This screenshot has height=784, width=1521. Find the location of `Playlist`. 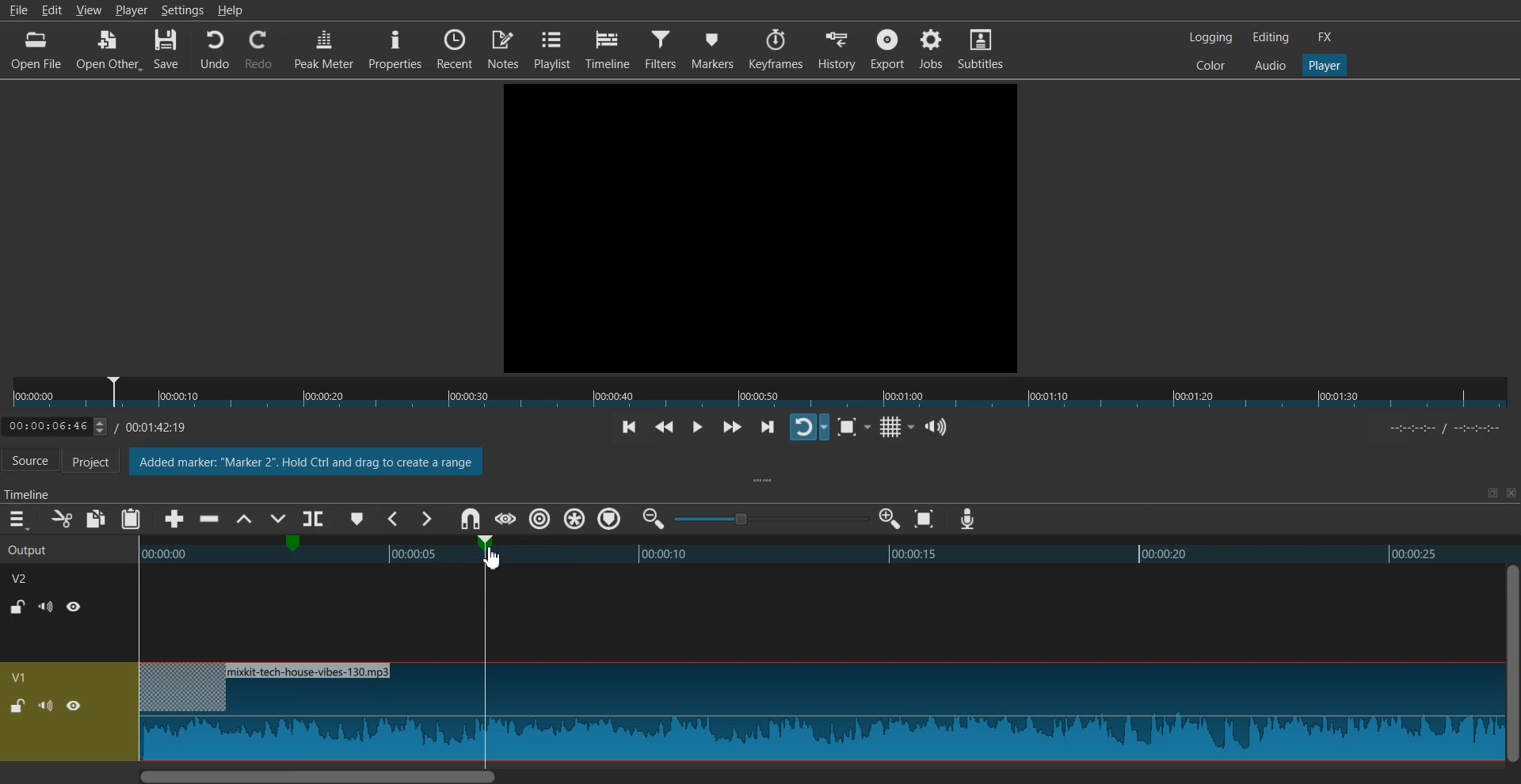

Playlist is located at coordinates (552, 48).